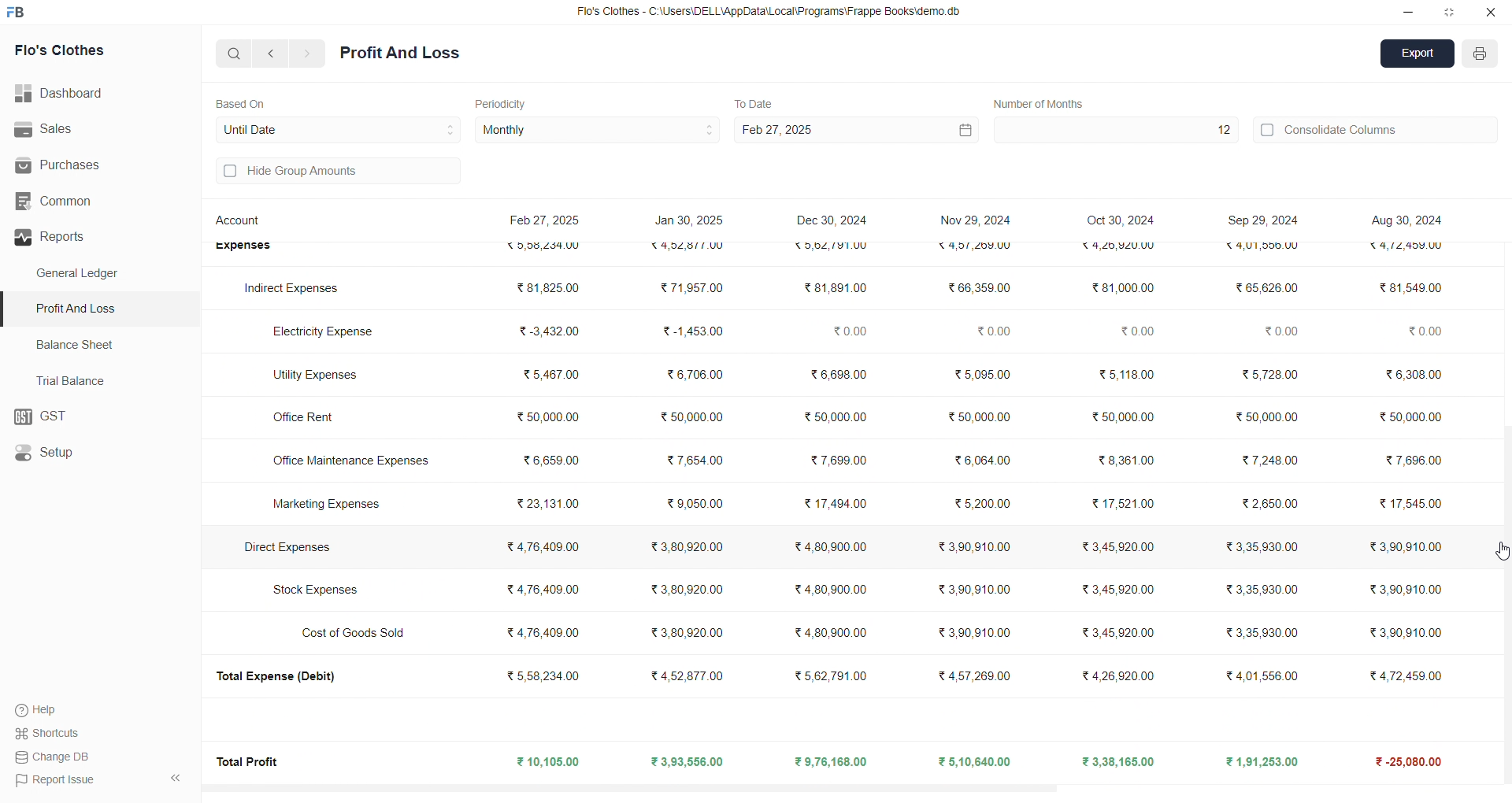 Image resolution: width=1512 pixels, height=803 pixels. Describe the element at coordinates (693, 414) in the screenshot. I see `₹50,000.00` at that location.